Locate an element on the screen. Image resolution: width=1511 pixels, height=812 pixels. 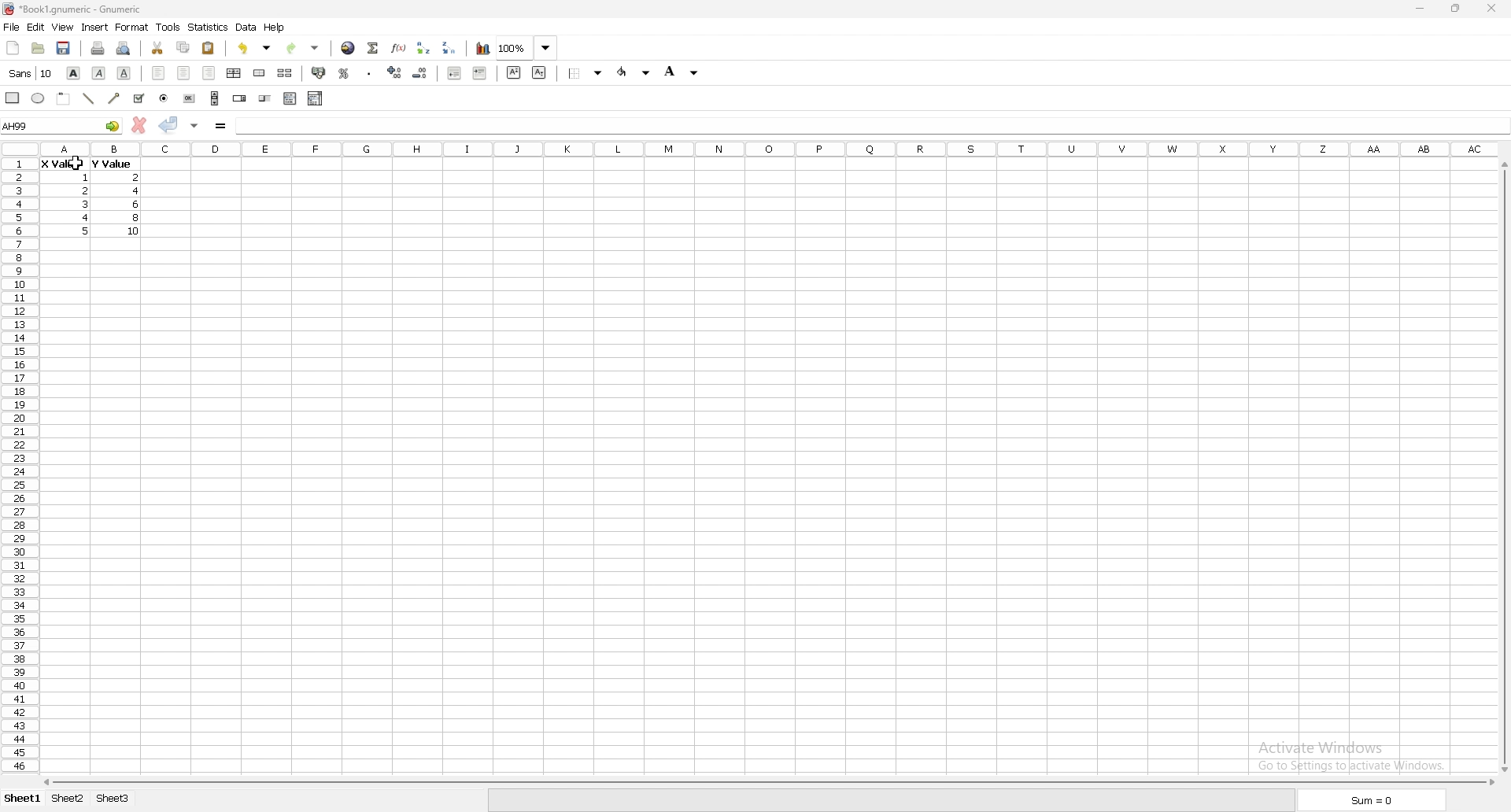
rows is located at coordinates (17, 465).